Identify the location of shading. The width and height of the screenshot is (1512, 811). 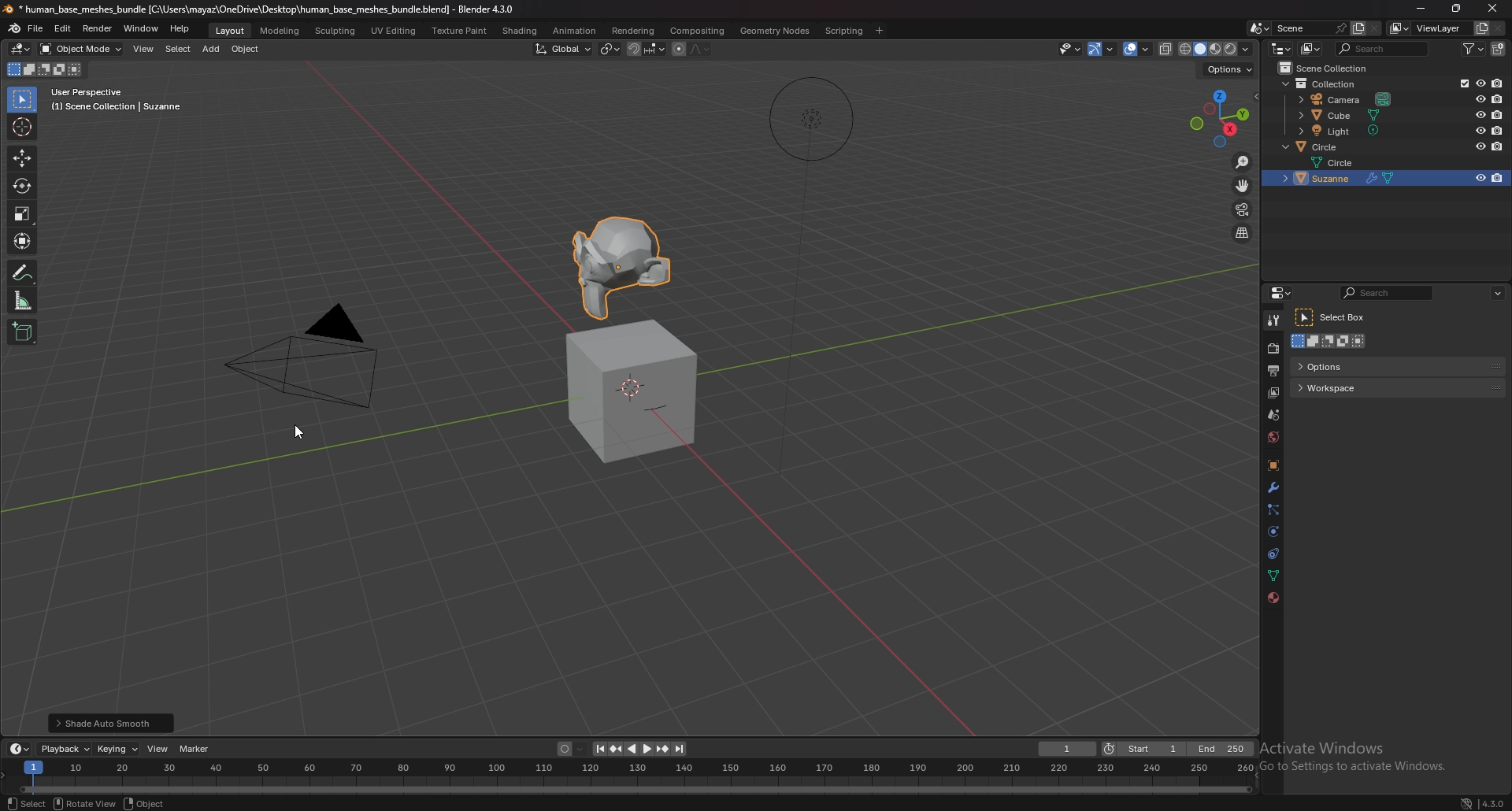
(521, 30).